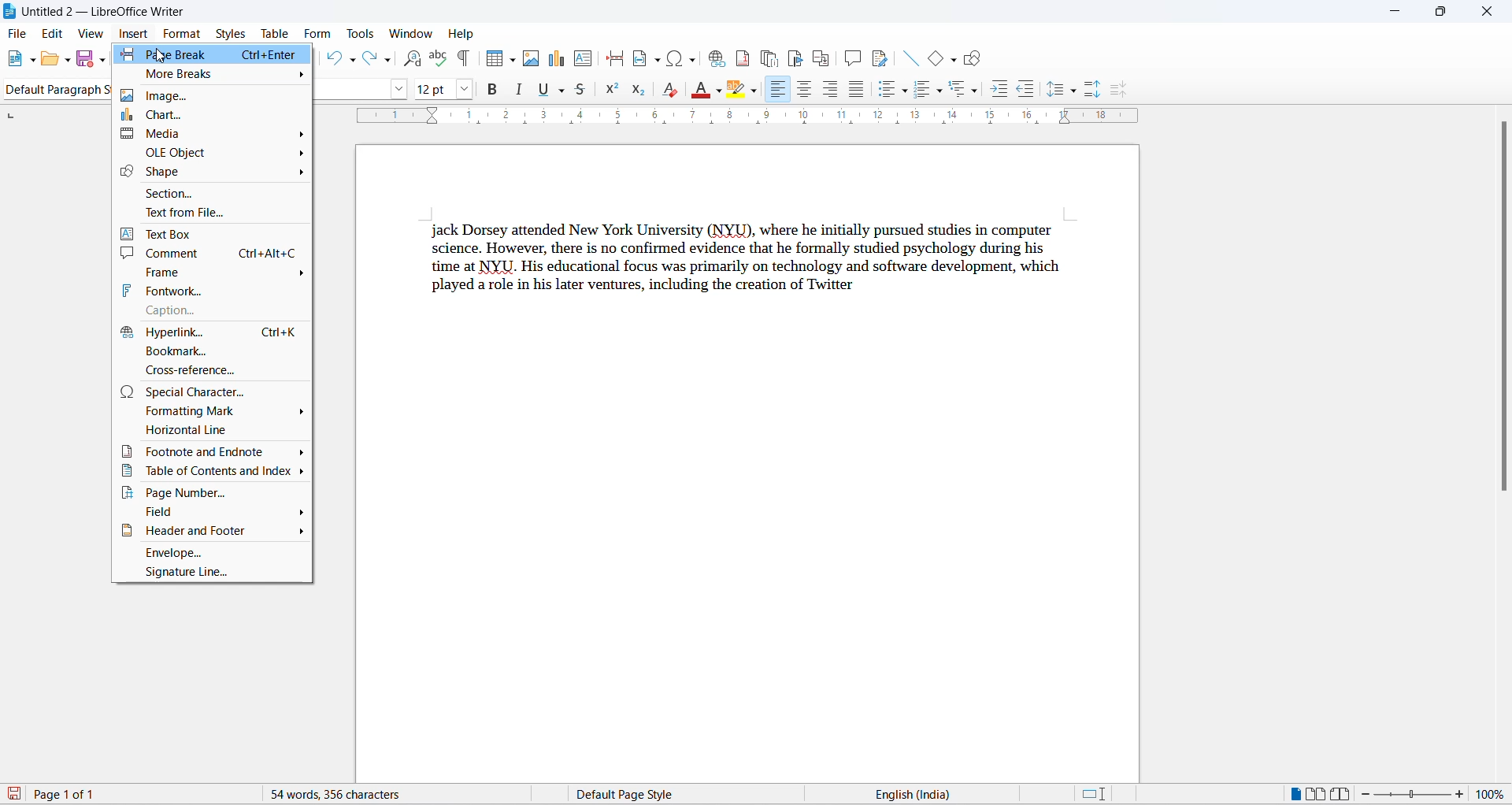  Describe the element at coordinates (216, 493) in the screenshot. I see `page number` at that location.